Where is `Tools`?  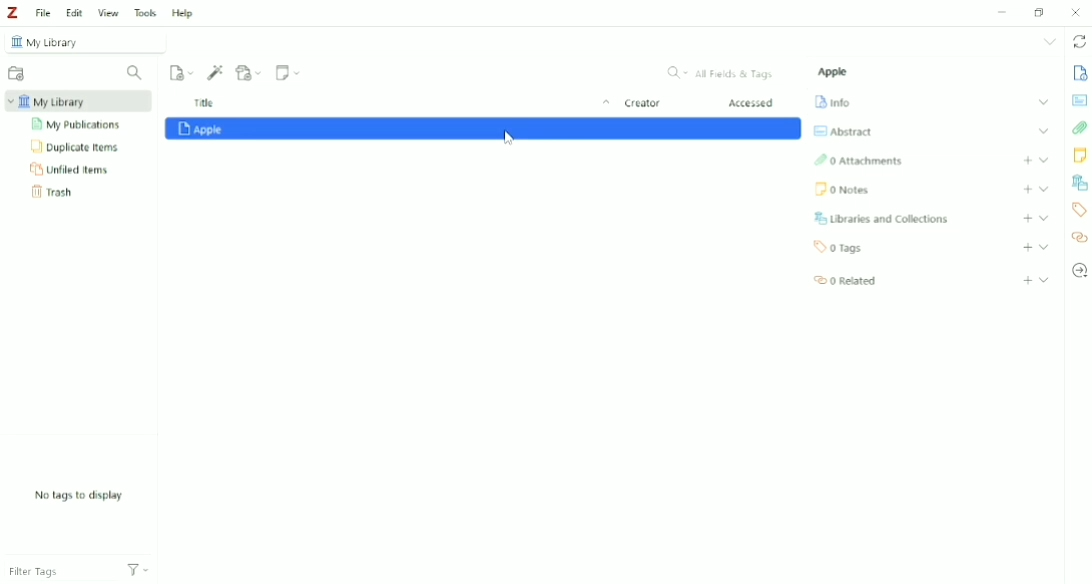 Tools is located at coordinates (146, 13).